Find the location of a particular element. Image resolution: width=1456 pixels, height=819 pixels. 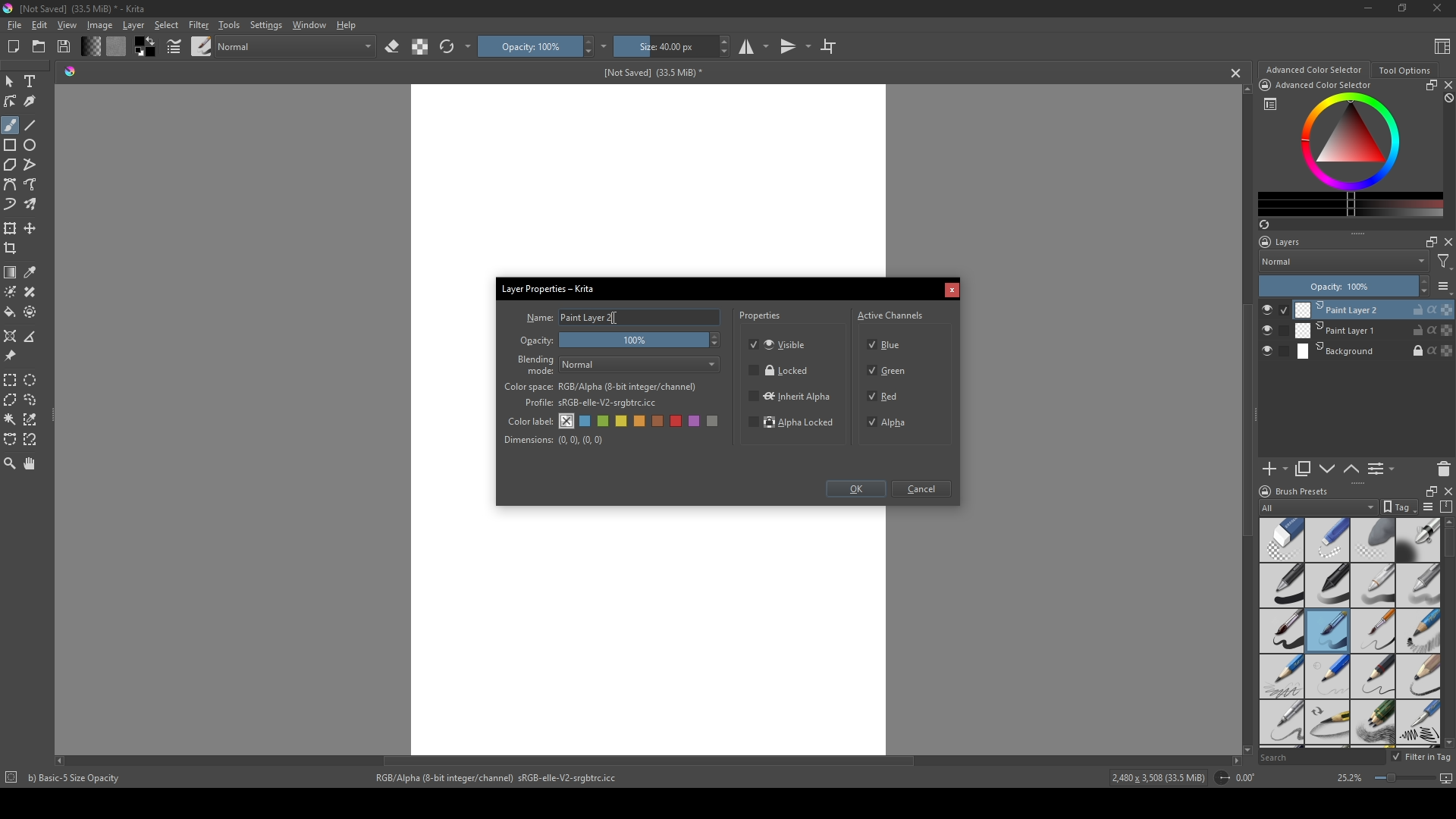

hard eraser is located at coordinates (1326, 539).